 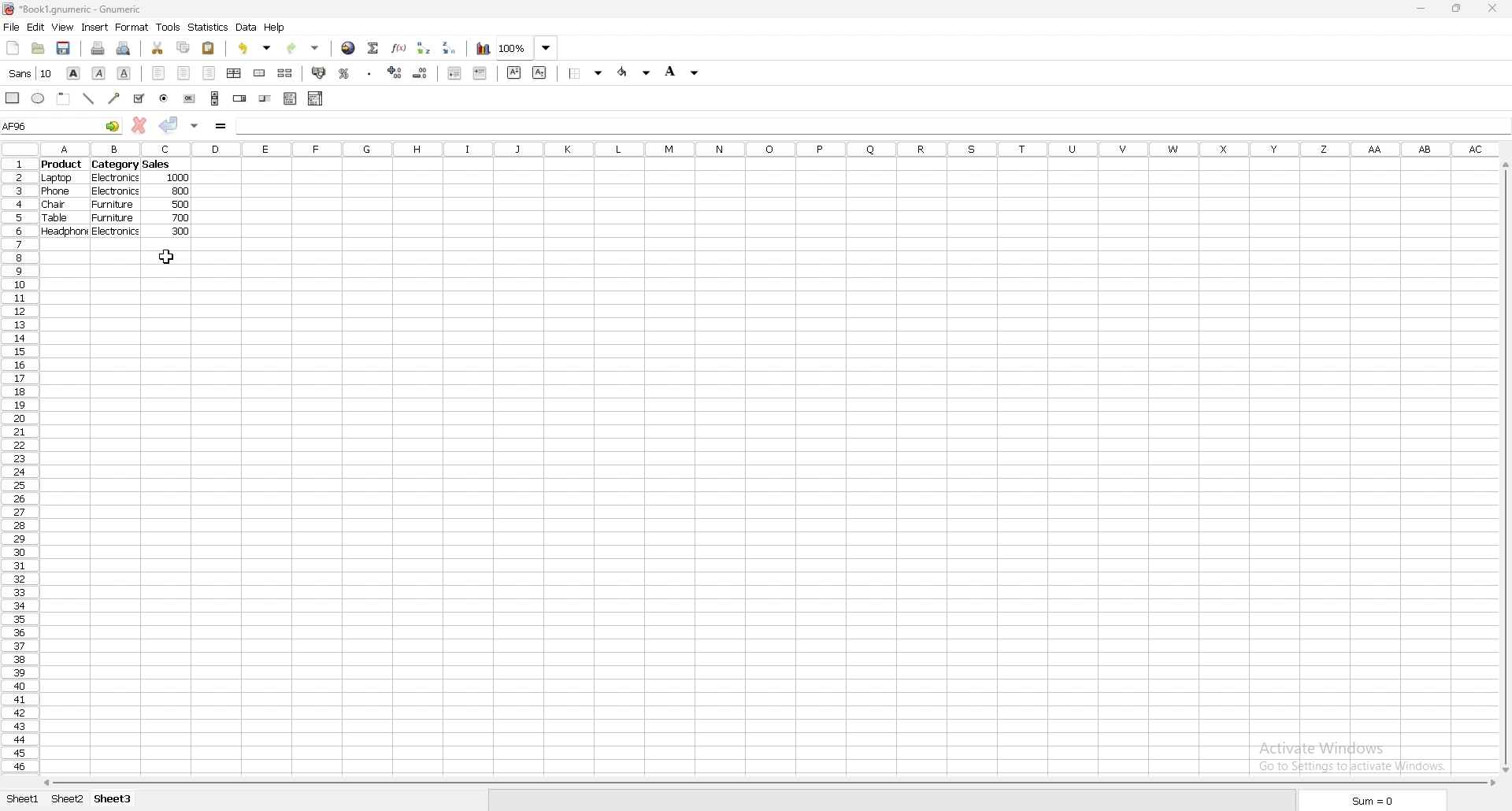 I want to click on insert, so click(x=95, y=27).